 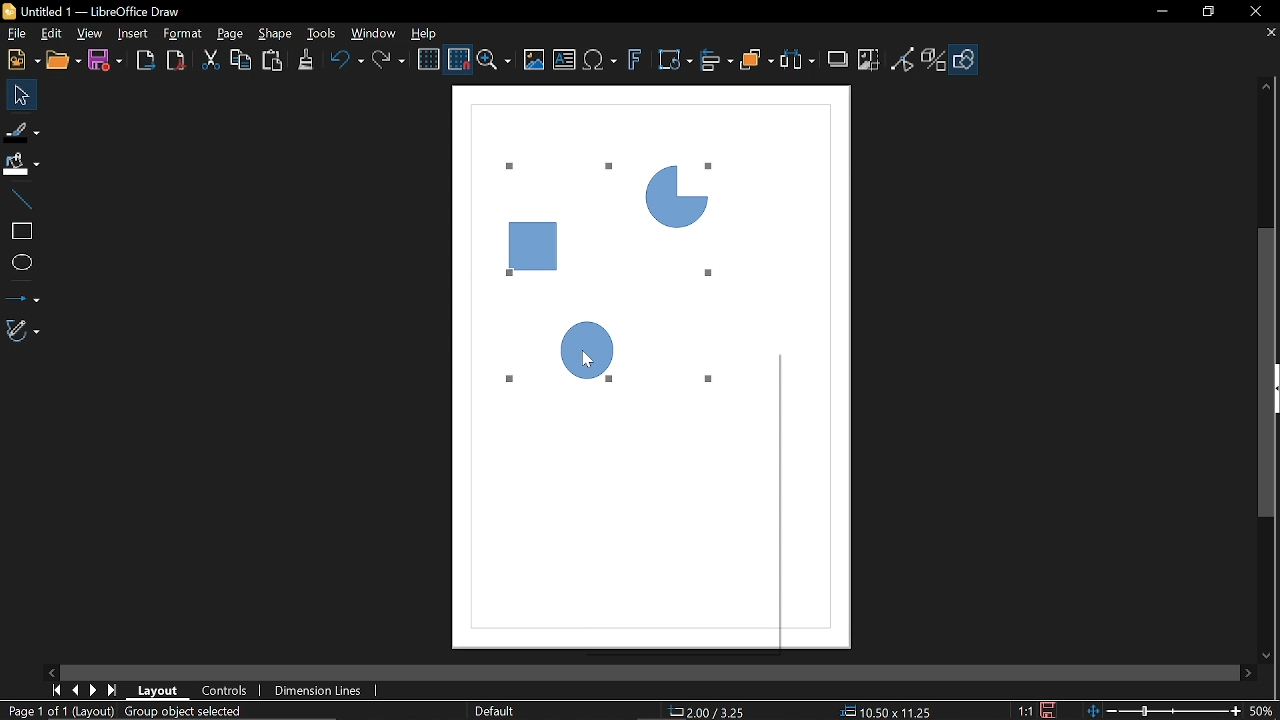 What do you see at coordinates (1166, 710) in the screenshot?
I see `Change zoom` at bounding box center [1166, 710].